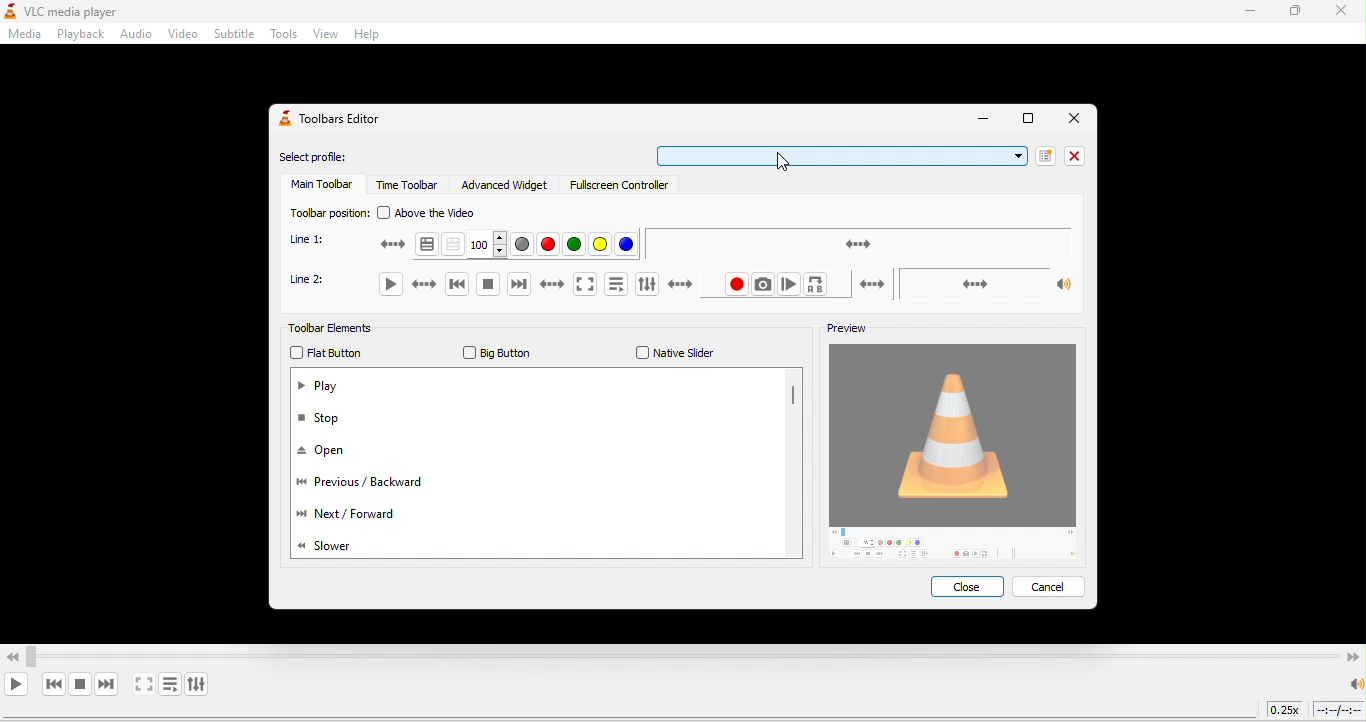 The width and height of the screenshot is (1366, 722). What do you see at coordinates (487, 246) in the screenshot?
I see `100` at bounding box center [487, 246].